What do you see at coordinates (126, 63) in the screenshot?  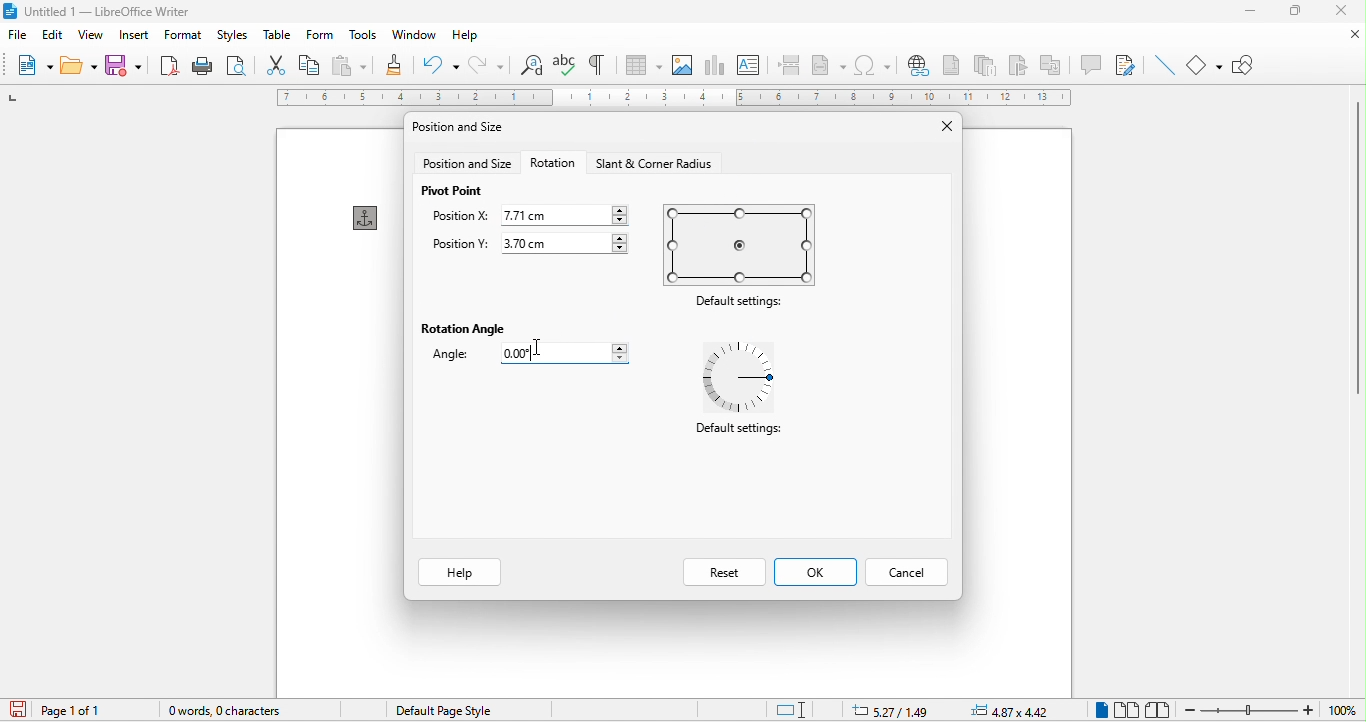 I see `save` at bounding box center [126, 63].